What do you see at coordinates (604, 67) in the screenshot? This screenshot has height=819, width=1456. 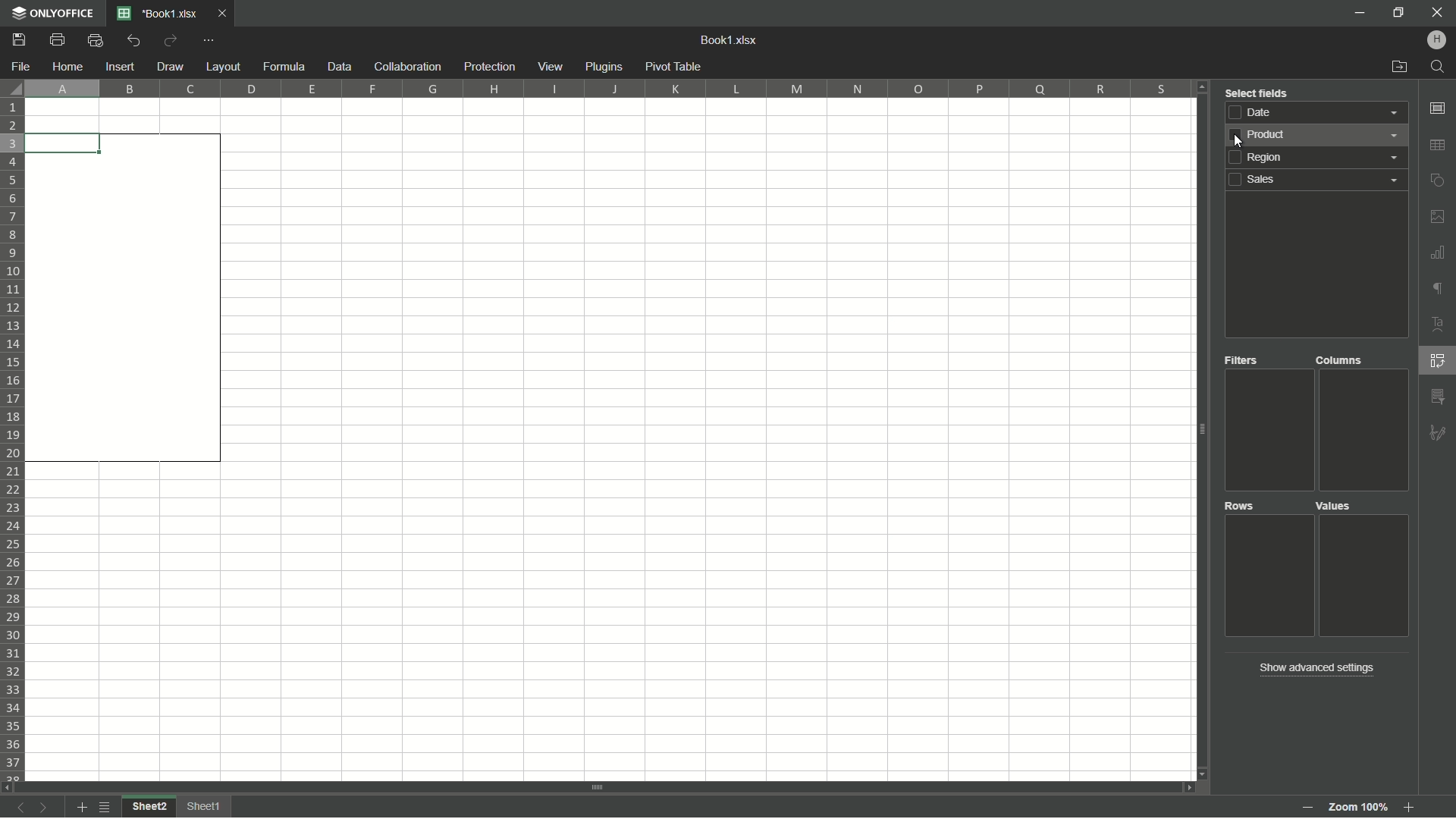 I see `plugins` at bounding box center [604, 67].